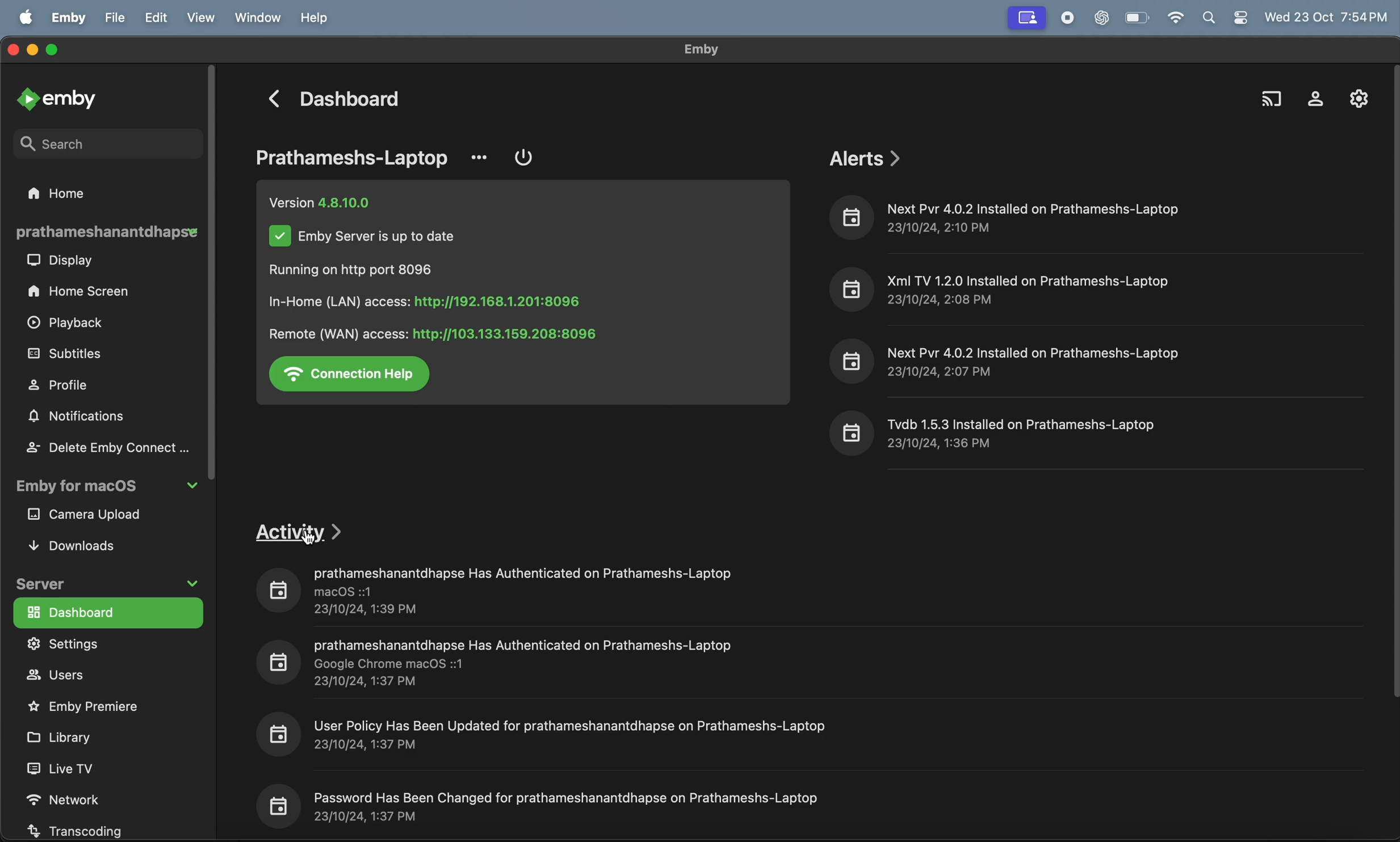 This screenshot has height=842, width=1400. Describe the element at coordinates (75, 736) in the screenshot. I see `library` at that location.